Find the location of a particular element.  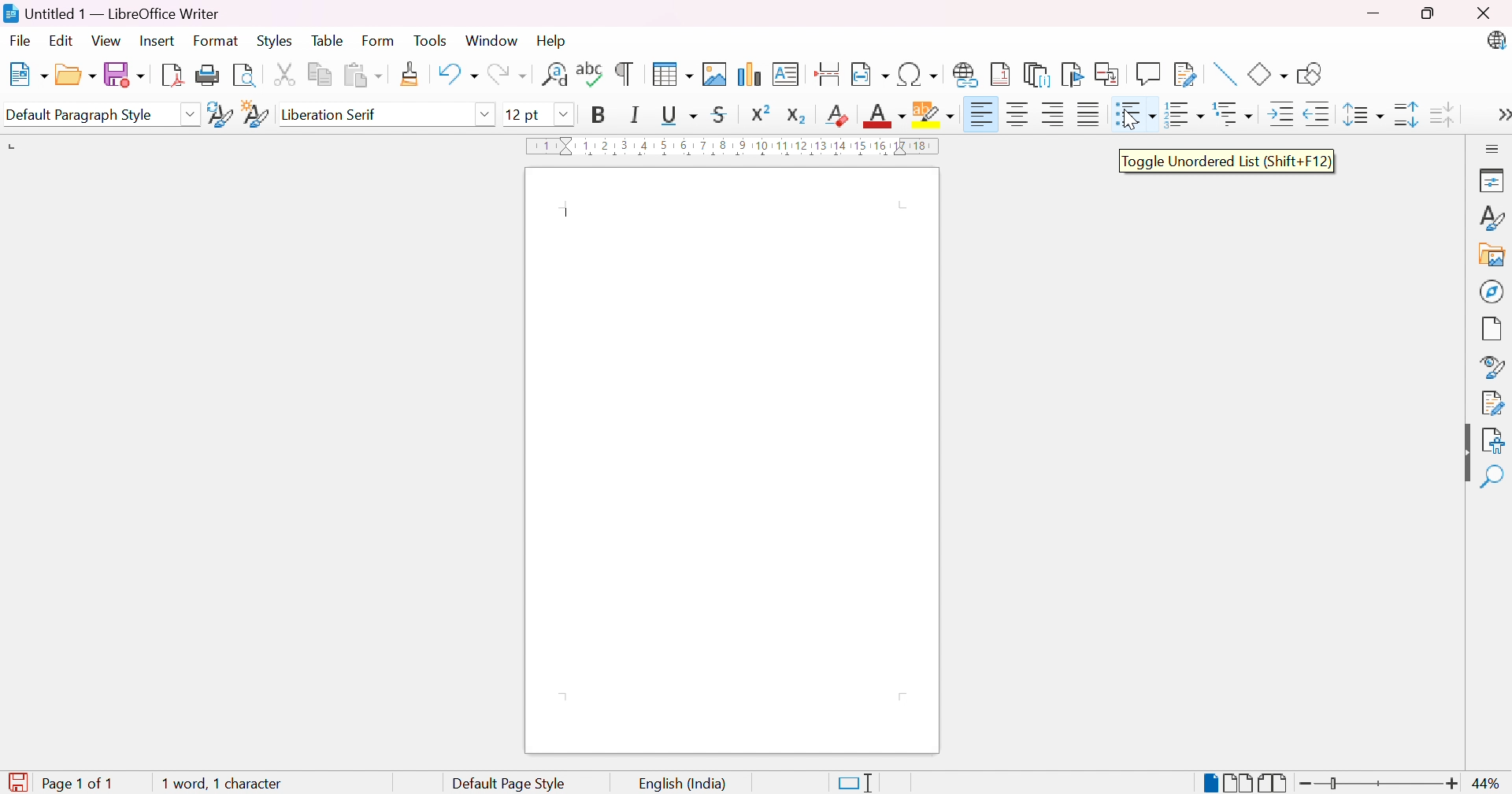

Window is located at coordinates (492, 42).